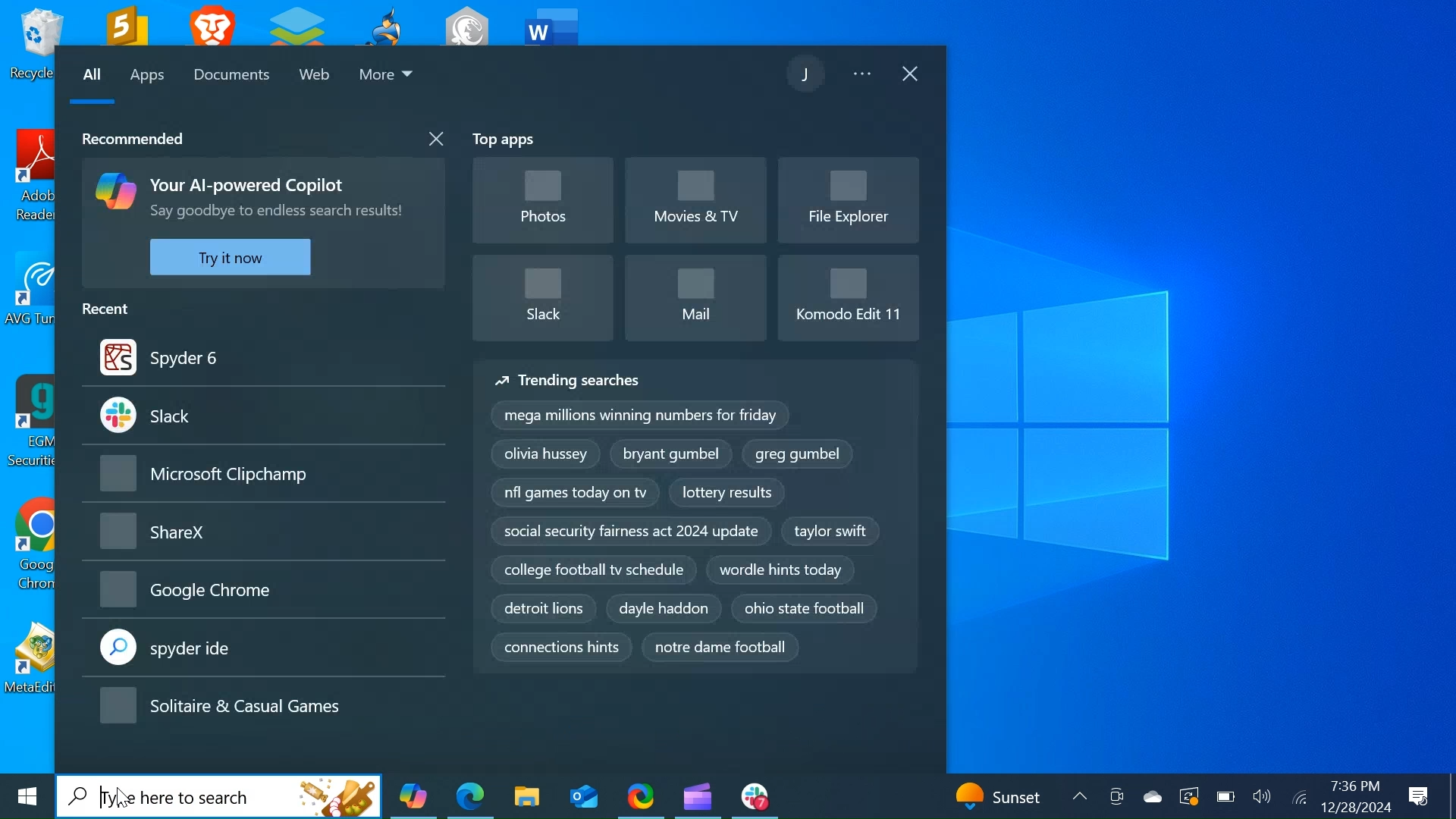 Image resolution: width=1456 pixels, height=819 pixels. I want to click on Close, so click(433, 140).